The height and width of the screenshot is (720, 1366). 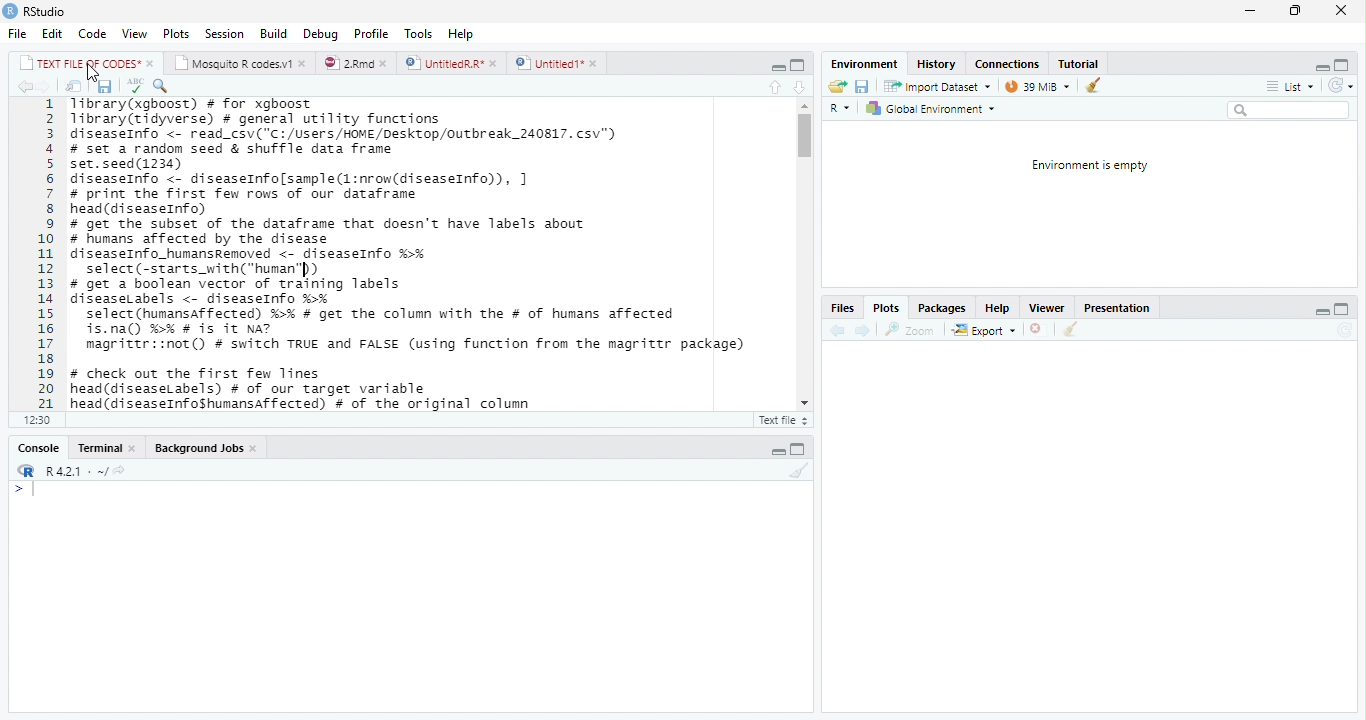 What do you see at coordinates (1341, 307) in the screenshot?
I see `Maximize` at bounding box center [1341, 307].